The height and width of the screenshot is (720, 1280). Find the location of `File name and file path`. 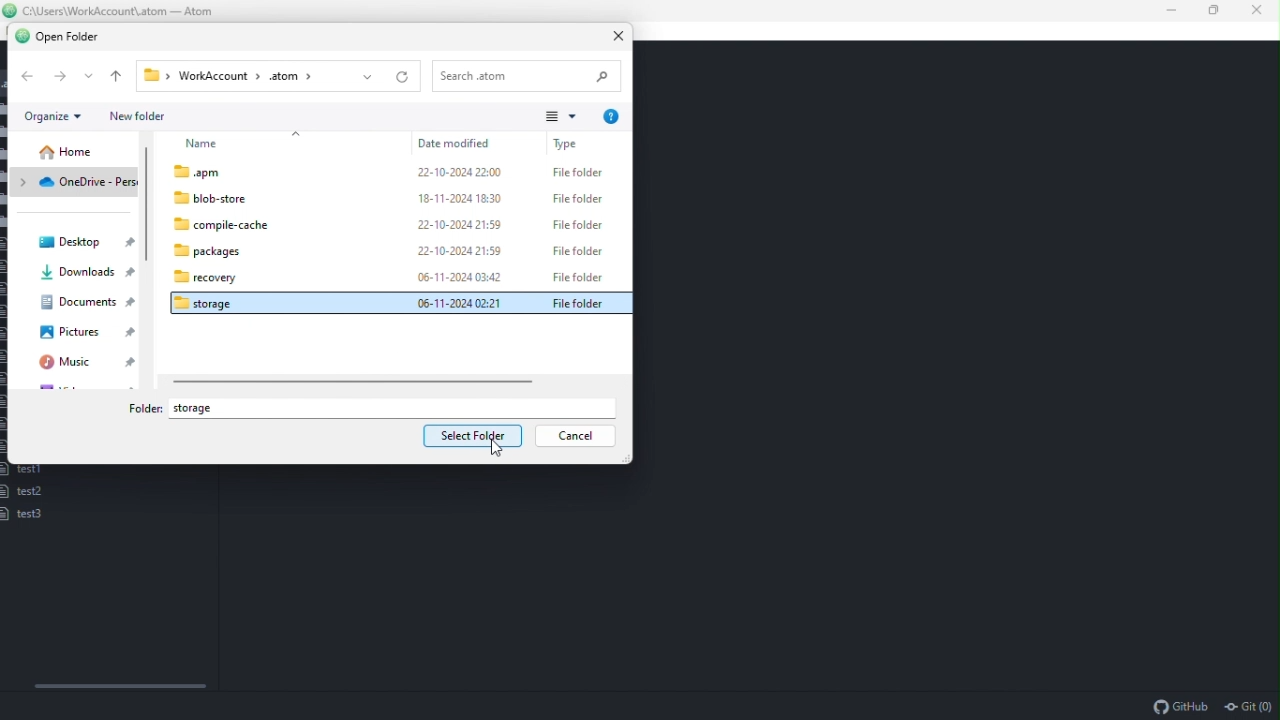

File name and file path is located at coordinates (112, 9).